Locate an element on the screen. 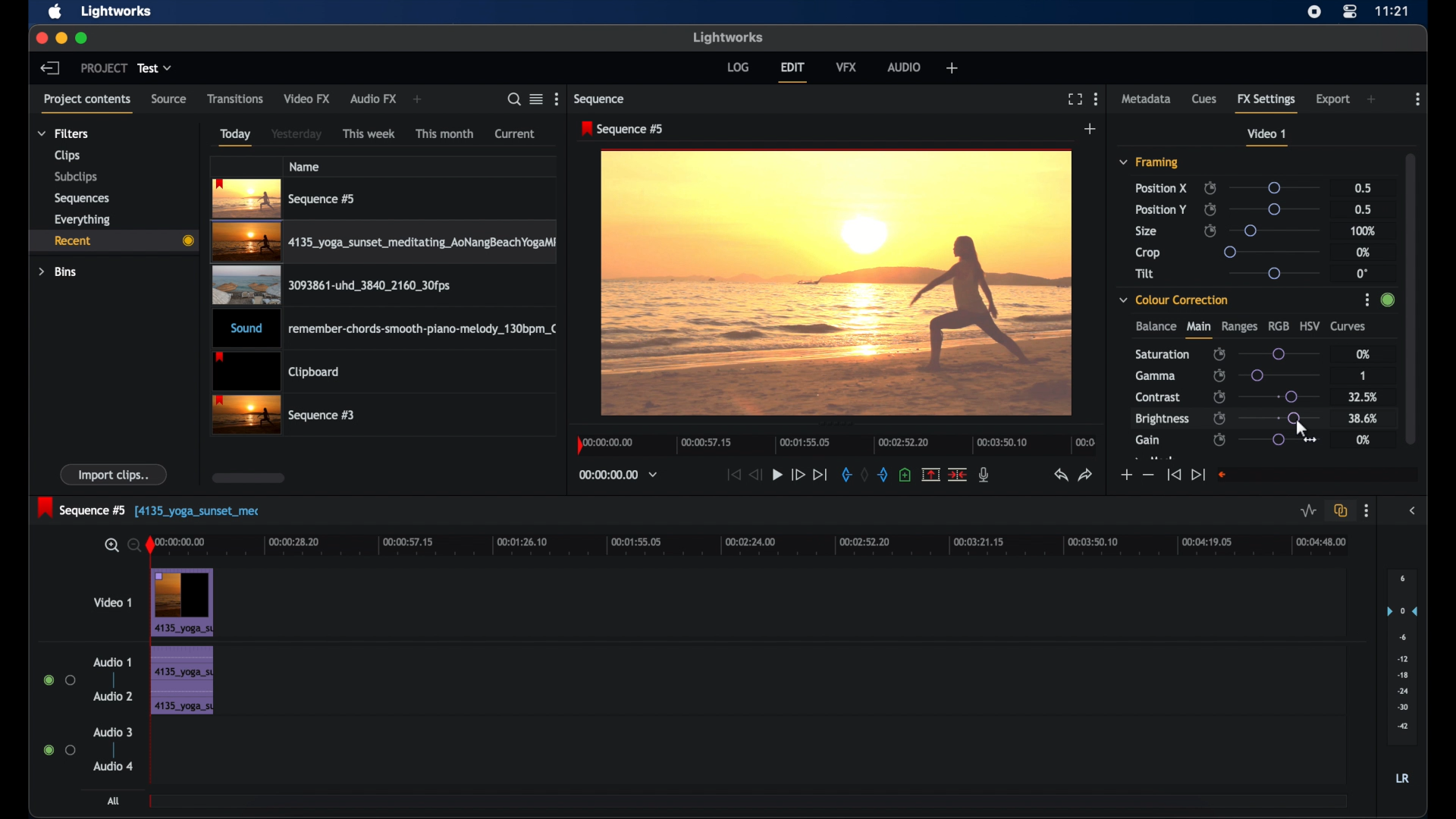 This screenshot has height=819, width=1456. rgb is located at coordinates (1275, 325).